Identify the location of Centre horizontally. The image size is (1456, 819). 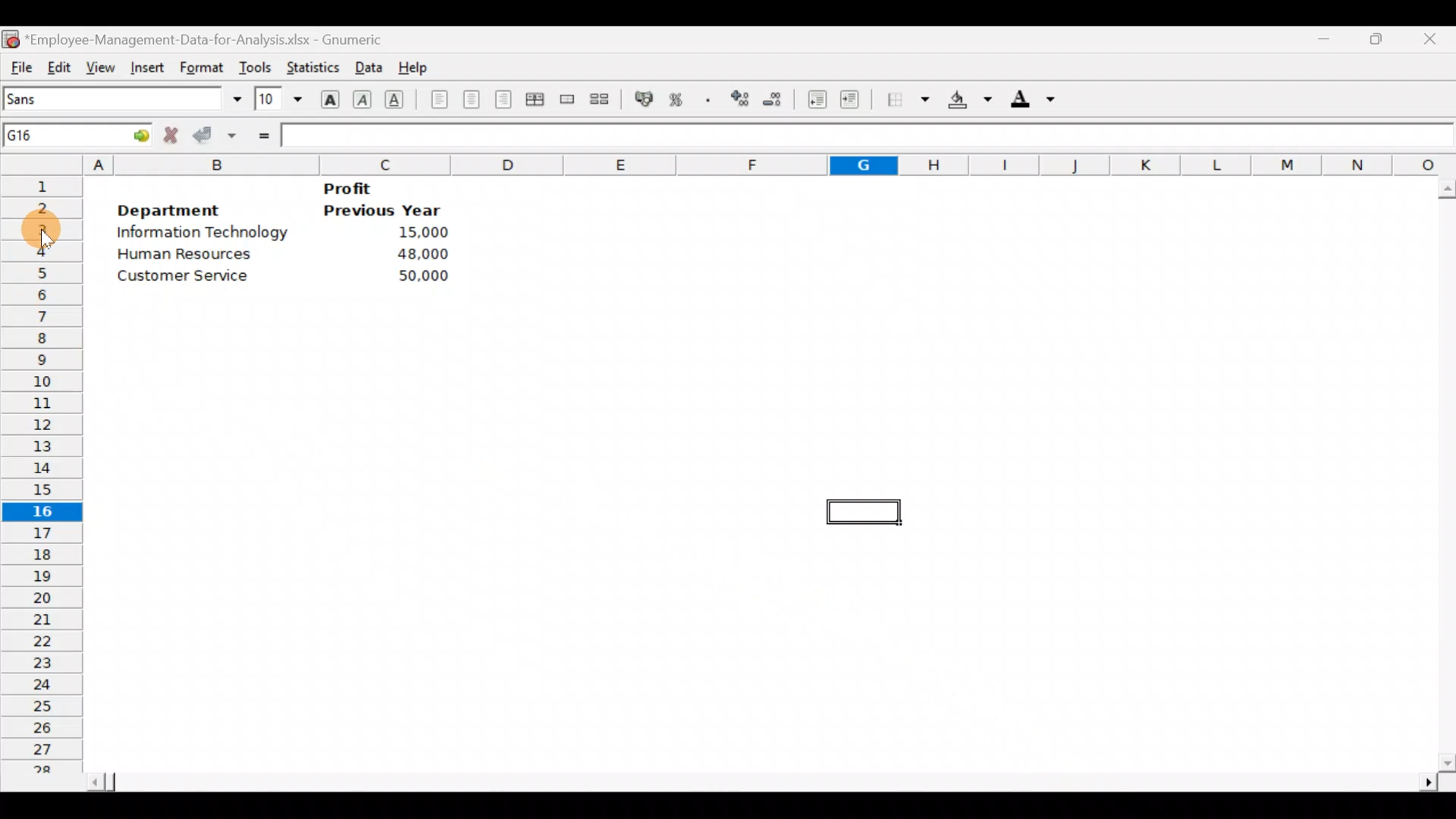
(472, 102).